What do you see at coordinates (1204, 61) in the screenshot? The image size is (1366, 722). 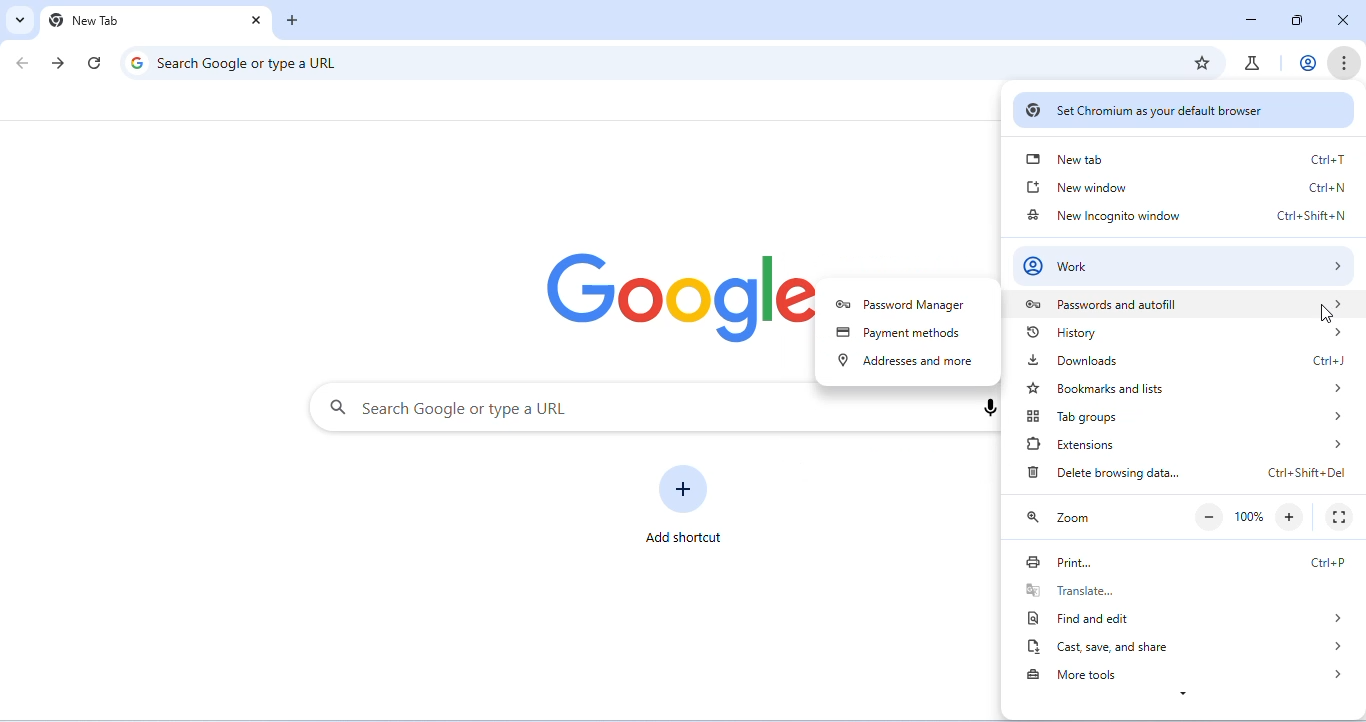 I see `add bookmark` at bounding box center [1204, 61].